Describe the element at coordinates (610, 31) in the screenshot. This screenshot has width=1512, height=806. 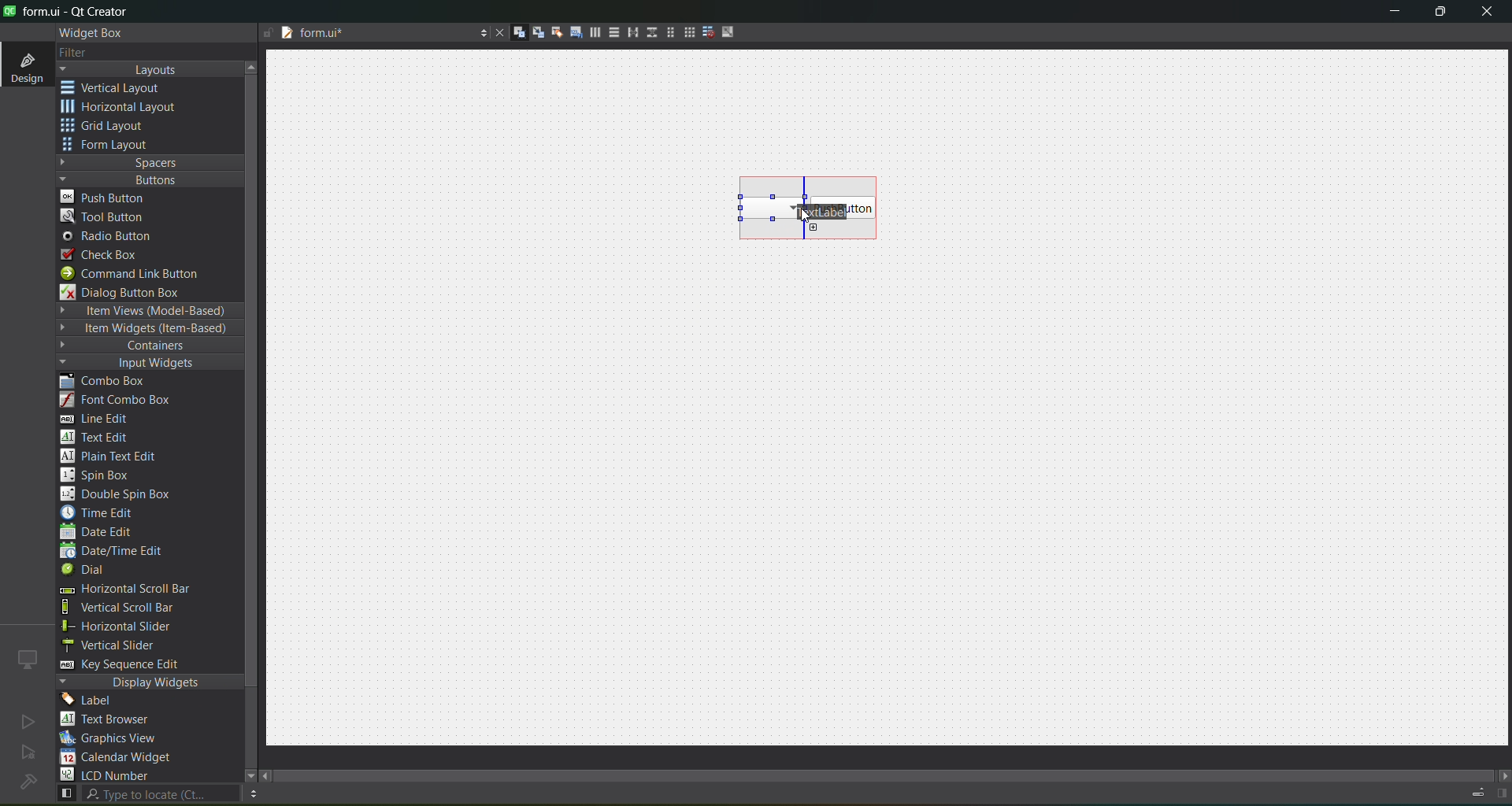
I see `layout vertically` at that location.